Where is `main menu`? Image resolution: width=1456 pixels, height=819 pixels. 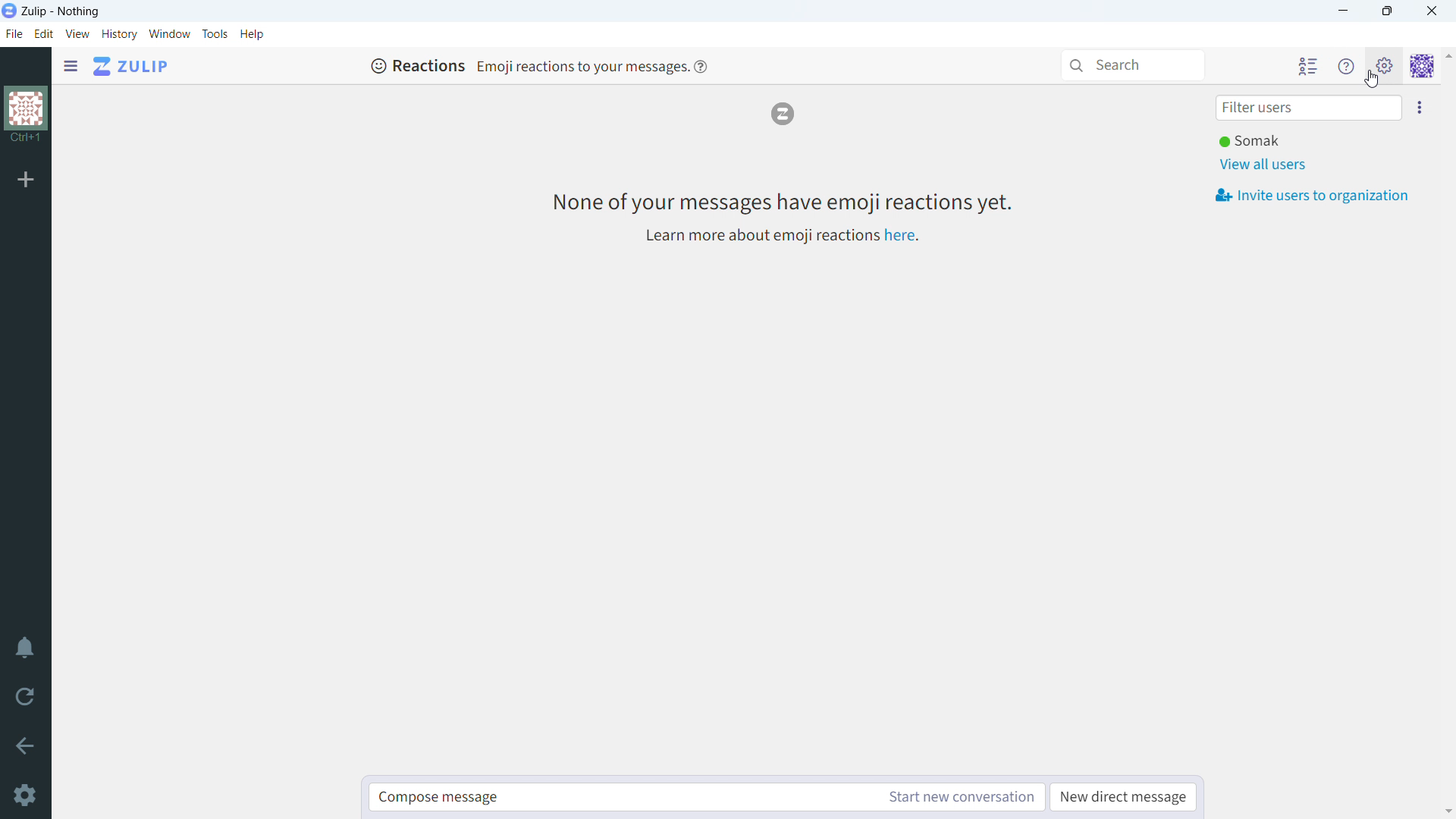 main menu is located at coordinates (1383, 65).